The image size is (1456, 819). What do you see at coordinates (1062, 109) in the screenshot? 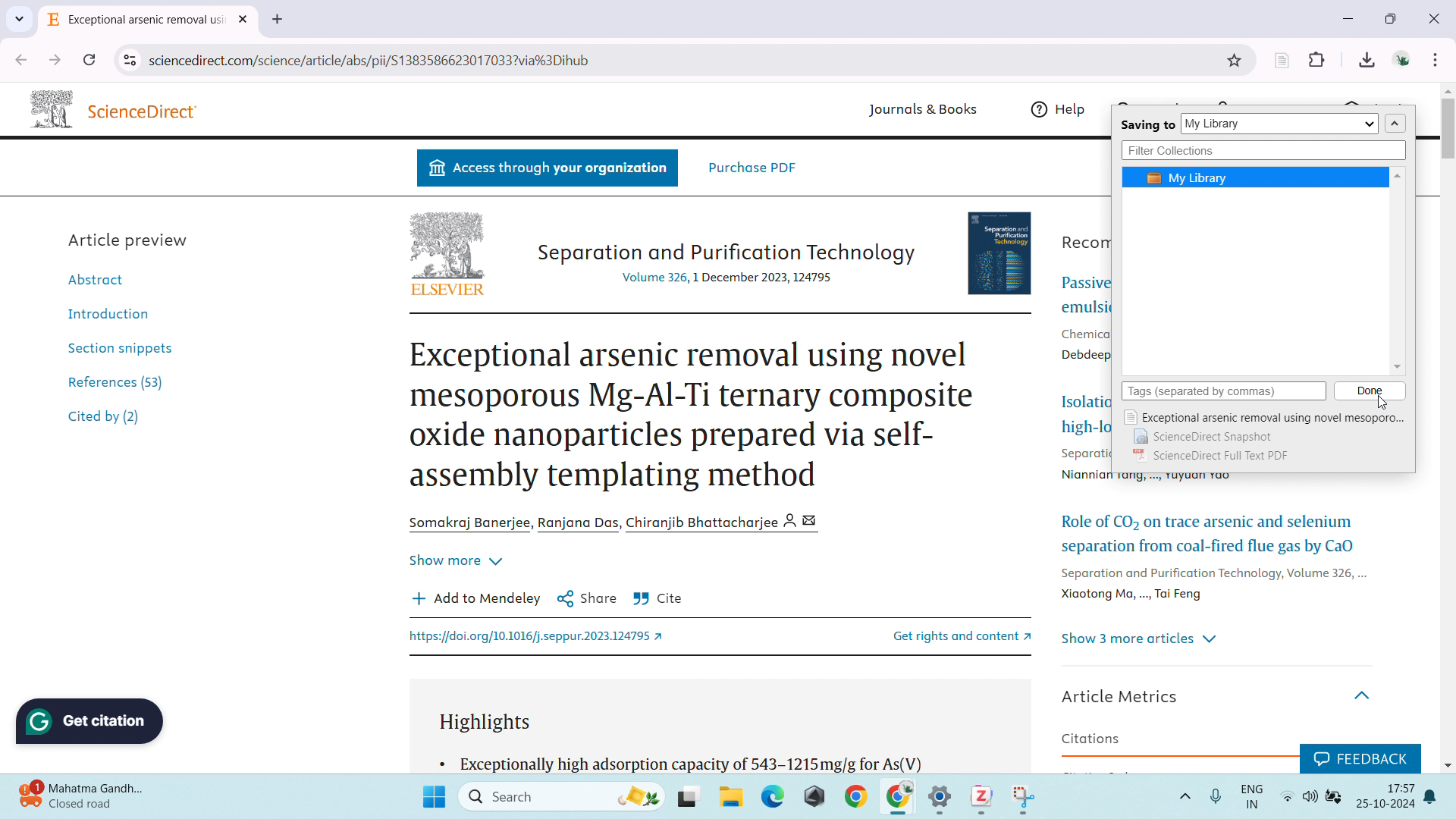
I see `Help` at bounding box center [1062, 109].